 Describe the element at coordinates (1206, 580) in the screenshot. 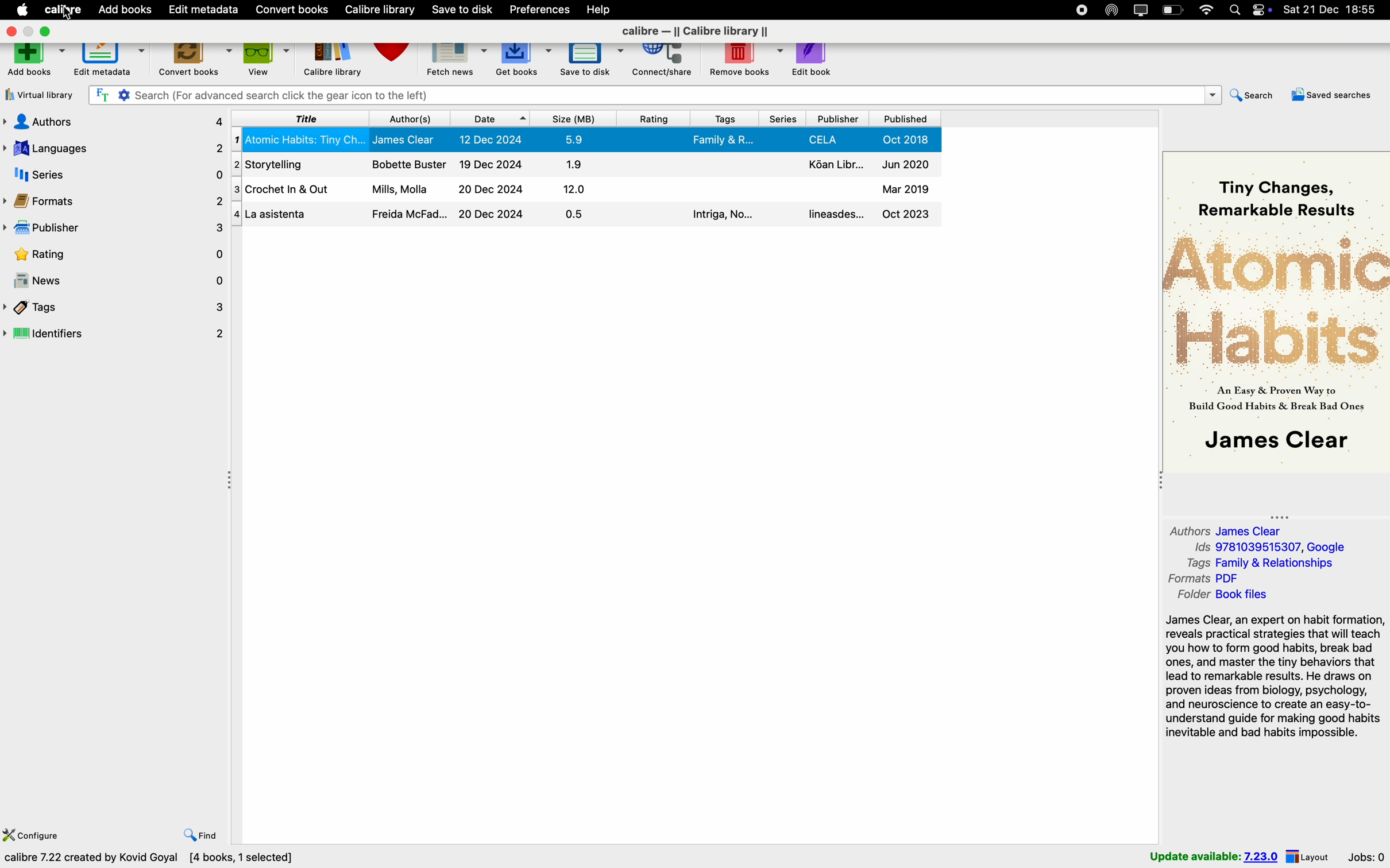

I see `formats PDF` at that location.